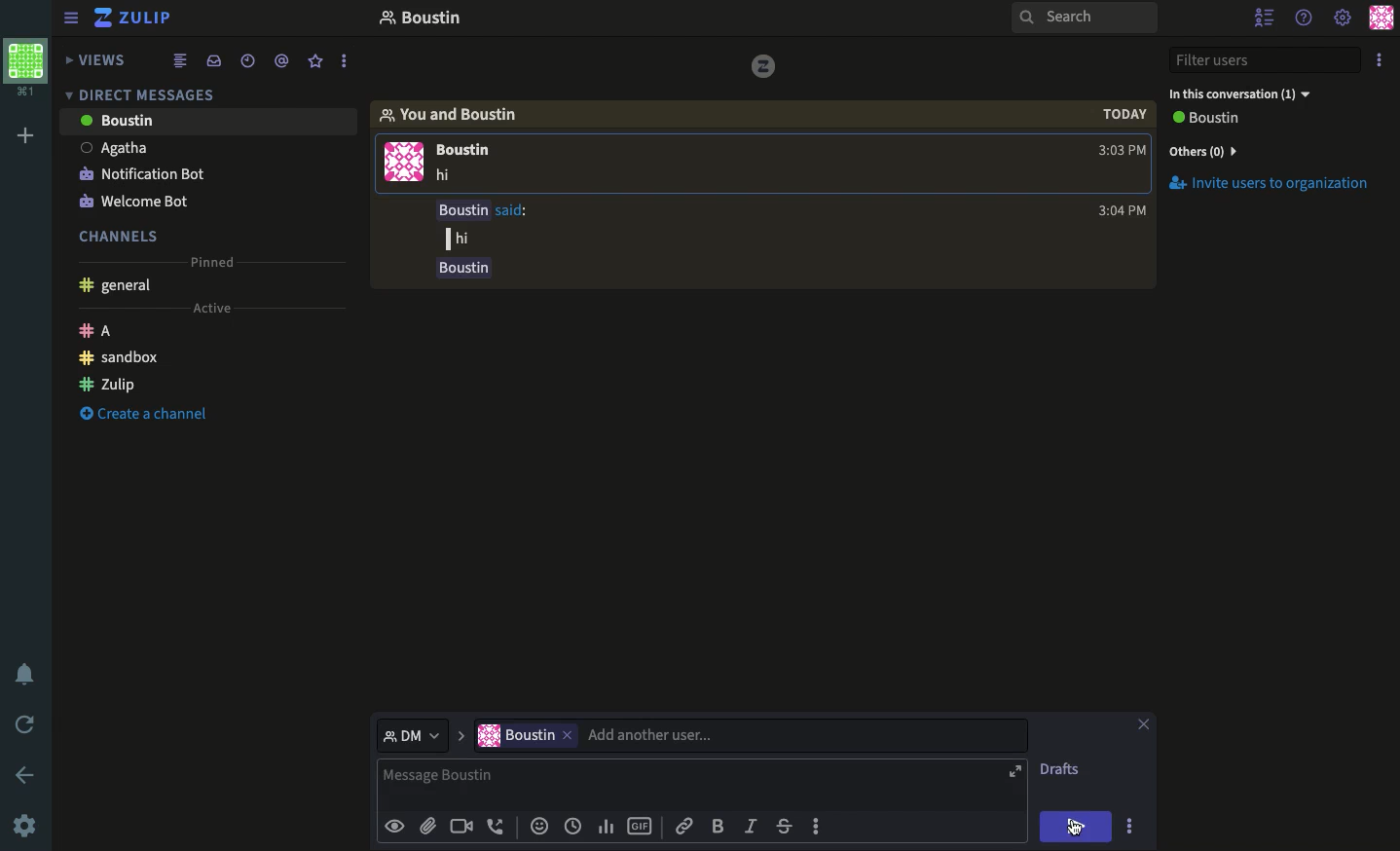 Image resolution: width=1400 pixels, height=851 pixels. I want to click on Bol, so click(721, 827).